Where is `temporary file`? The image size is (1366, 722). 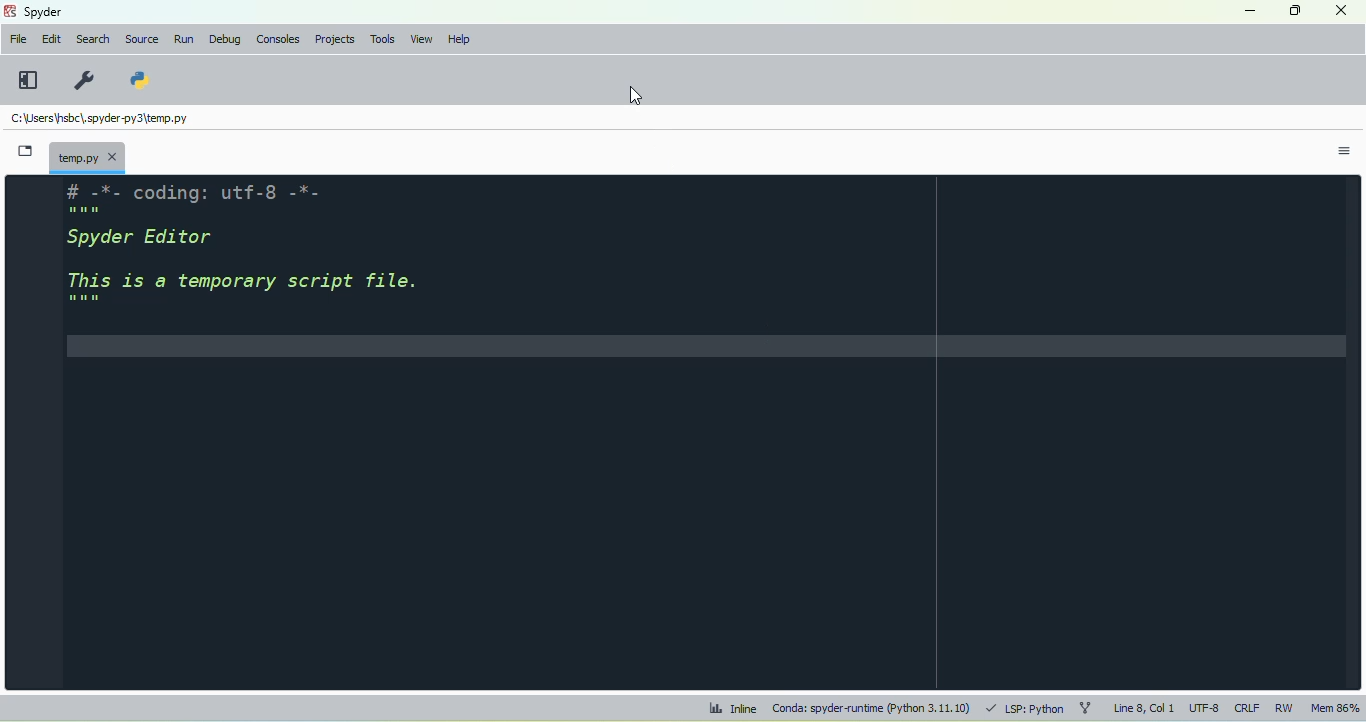
temporary file is located at coordinates (88, 157).